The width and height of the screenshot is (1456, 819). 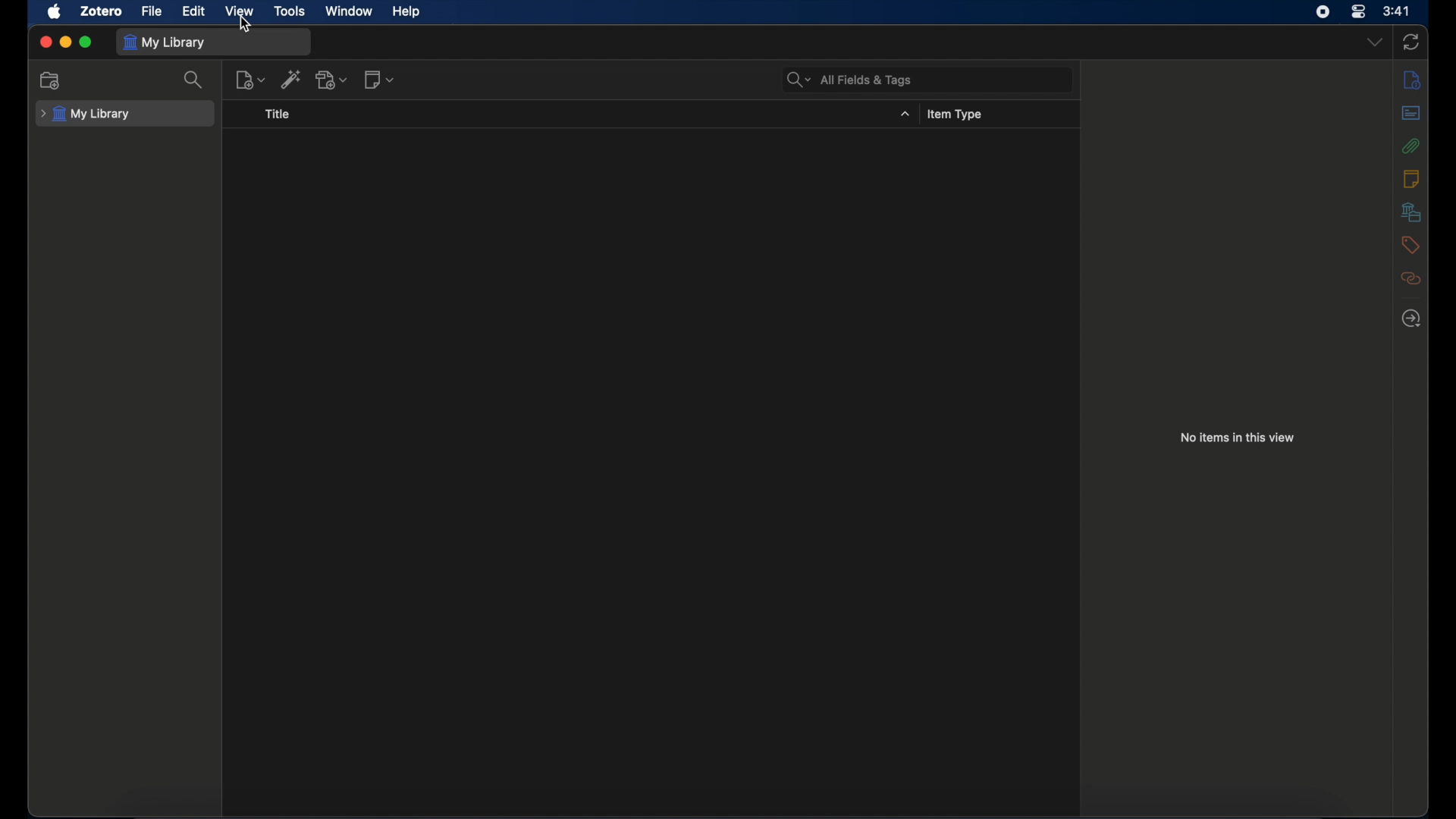 What do you see at coordinates (1238, 438) in the screenshot?
I see `no items in this view` at bounding box center [1238, 438].